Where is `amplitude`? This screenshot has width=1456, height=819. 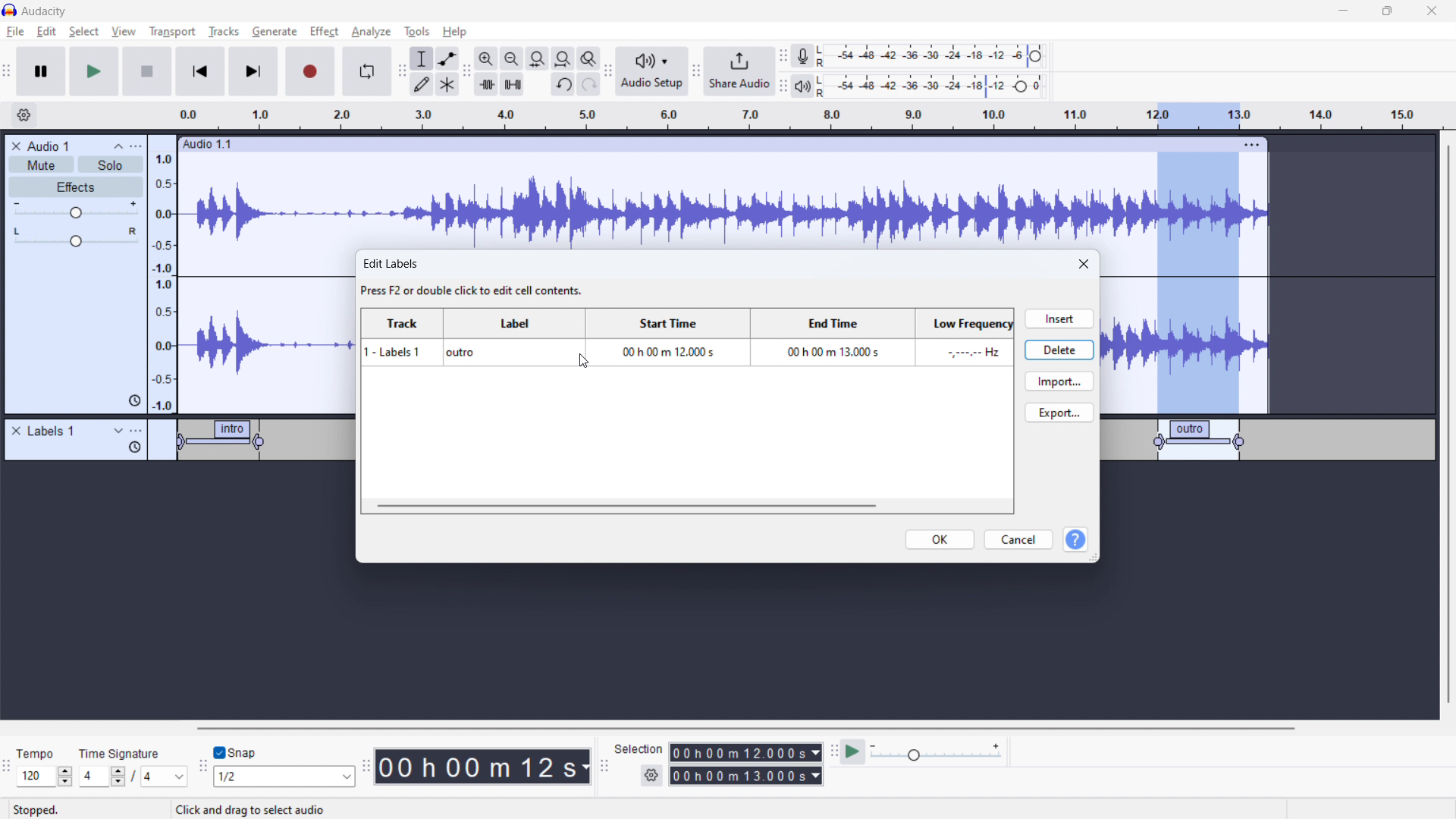
amplitude is located at coordinates (163, 274).